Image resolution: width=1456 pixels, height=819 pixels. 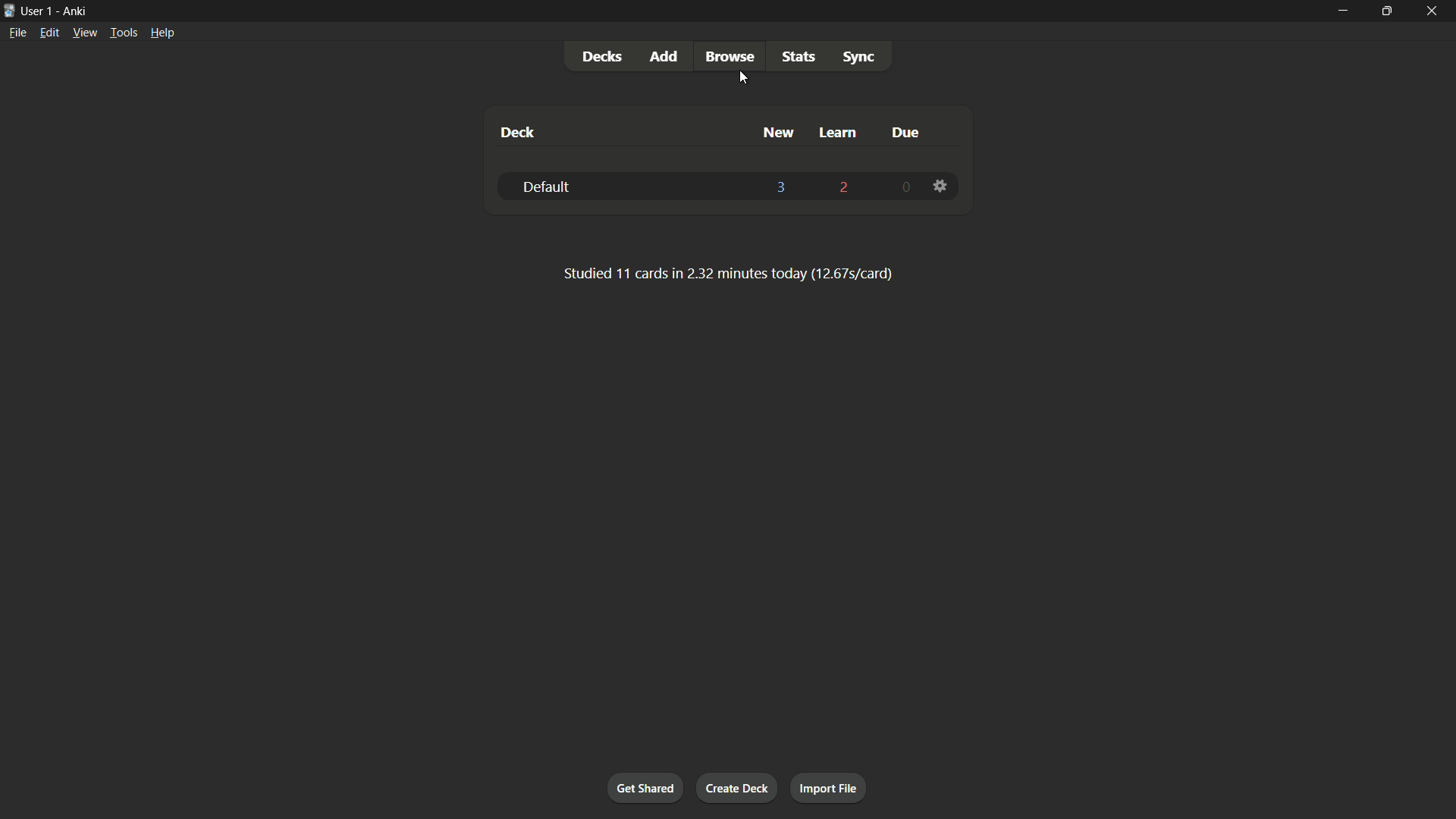 I want to click on browse, so click(x=730, y=58).